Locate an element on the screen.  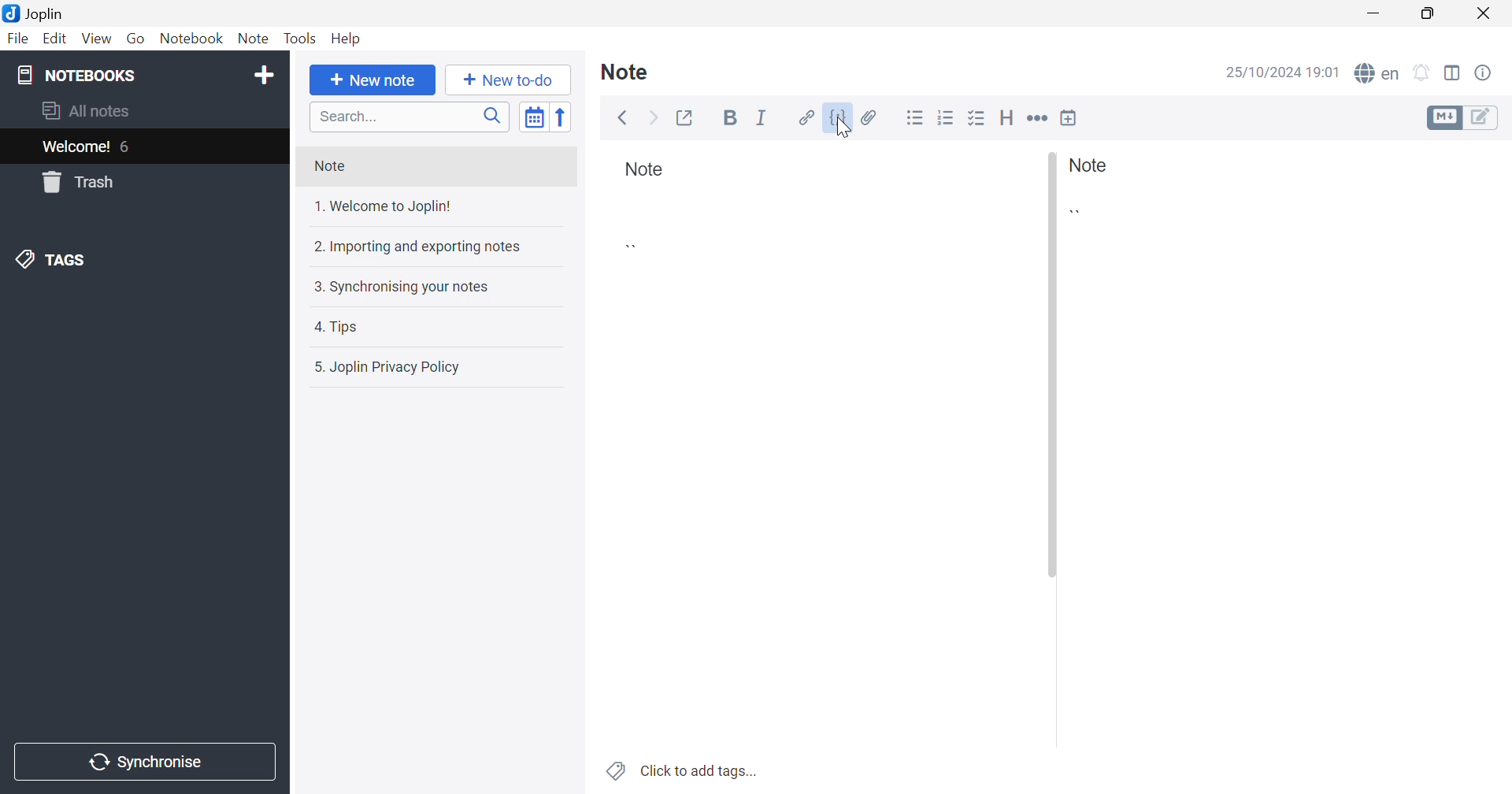
Toggle external editing is located at coordinates (684, 117).